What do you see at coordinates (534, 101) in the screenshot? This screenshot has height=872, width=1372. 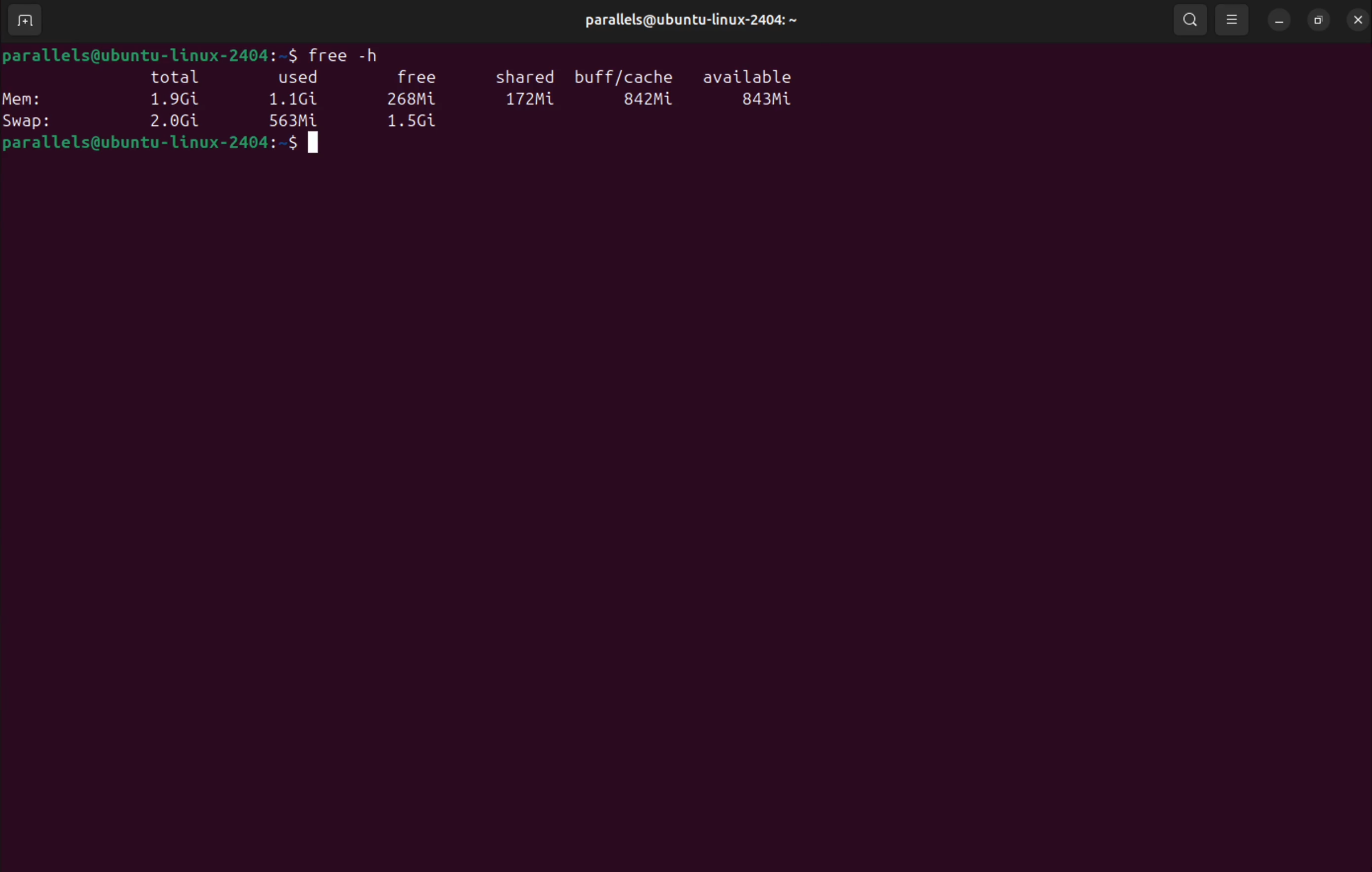 I see `172Mi` at bounding box center [534, 101].